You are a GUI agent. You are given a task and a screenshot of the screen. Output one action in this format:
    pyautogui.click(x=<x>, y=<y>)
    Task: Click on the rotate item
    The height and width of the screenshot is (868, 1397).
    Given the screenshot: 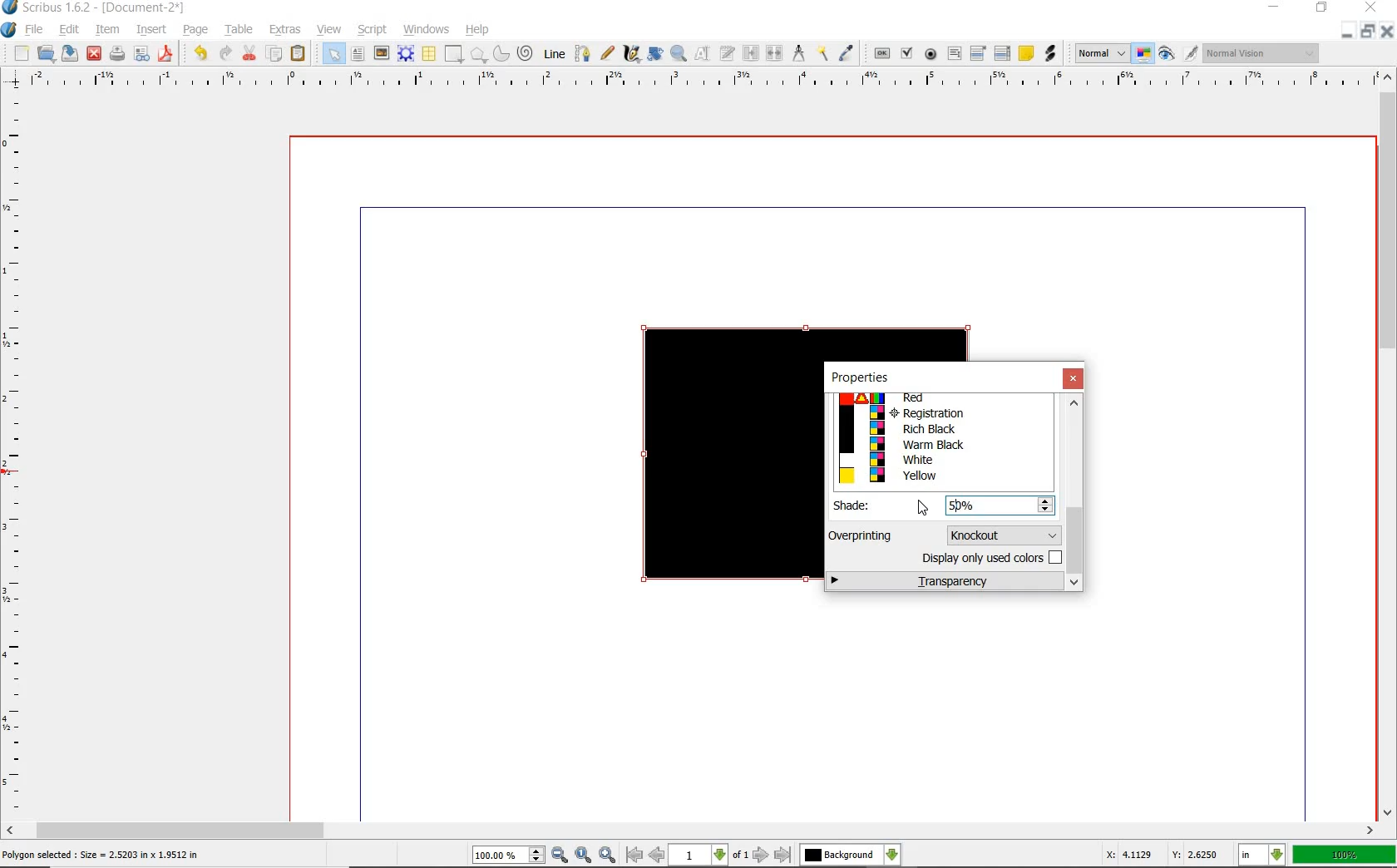 What is the action you would take?
    pyautogui.click(x=656, y=53)
    